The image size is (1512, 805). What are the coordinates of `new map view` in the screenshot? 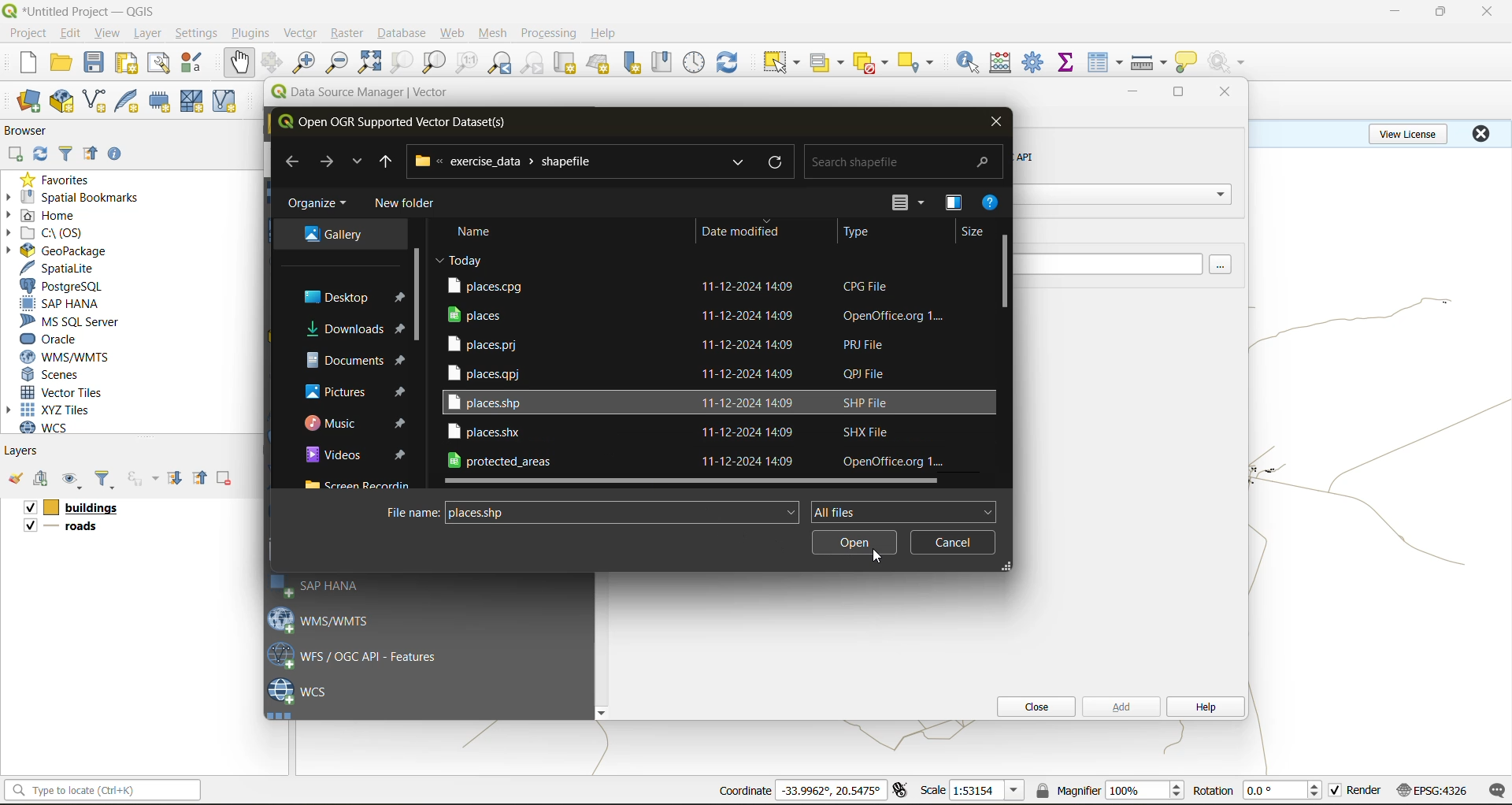 It's located at (567, 65).